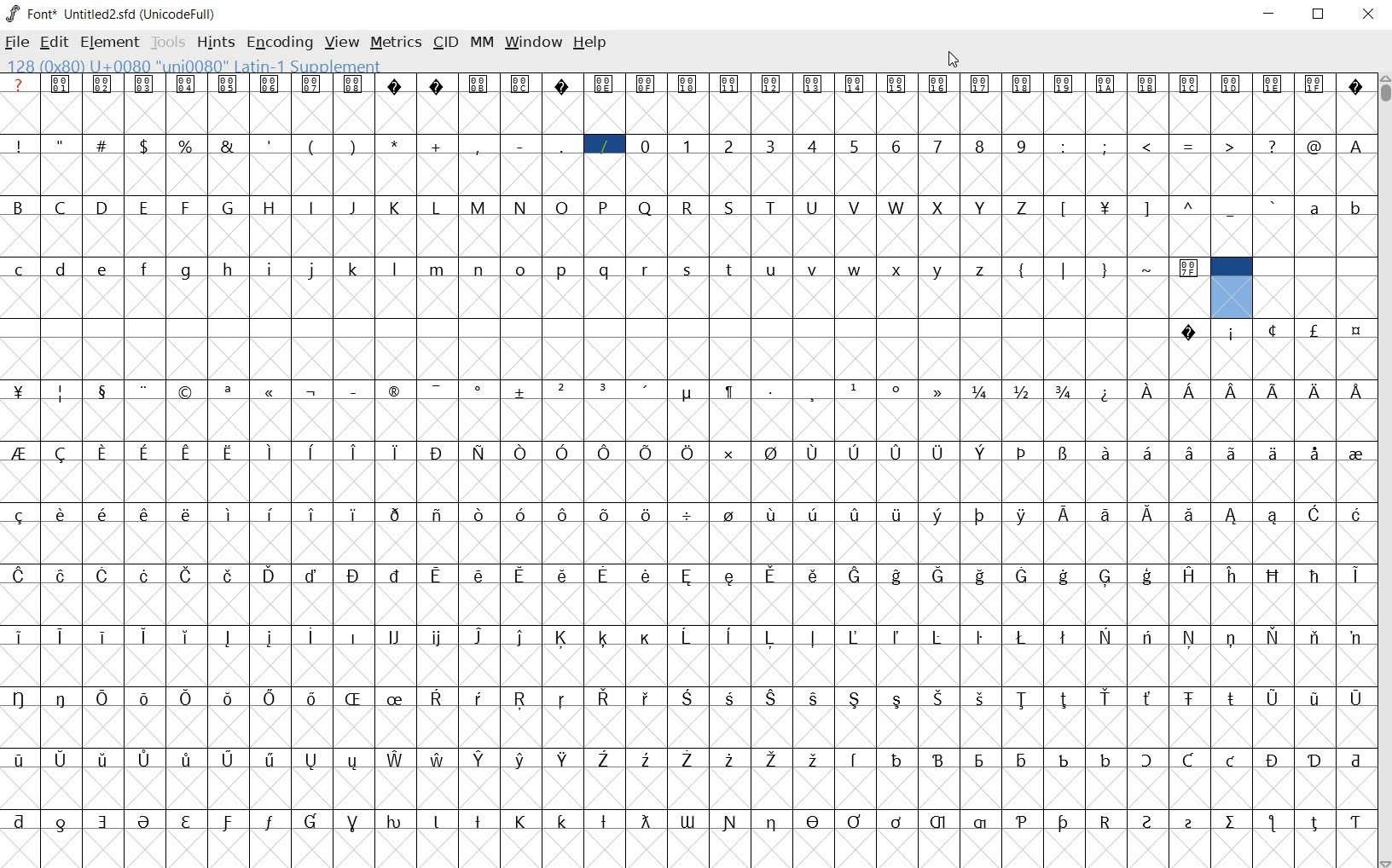 Image resolution: width=1392 pixels, height=868 pixels. I want to click on Symbol, so click(815, 454).